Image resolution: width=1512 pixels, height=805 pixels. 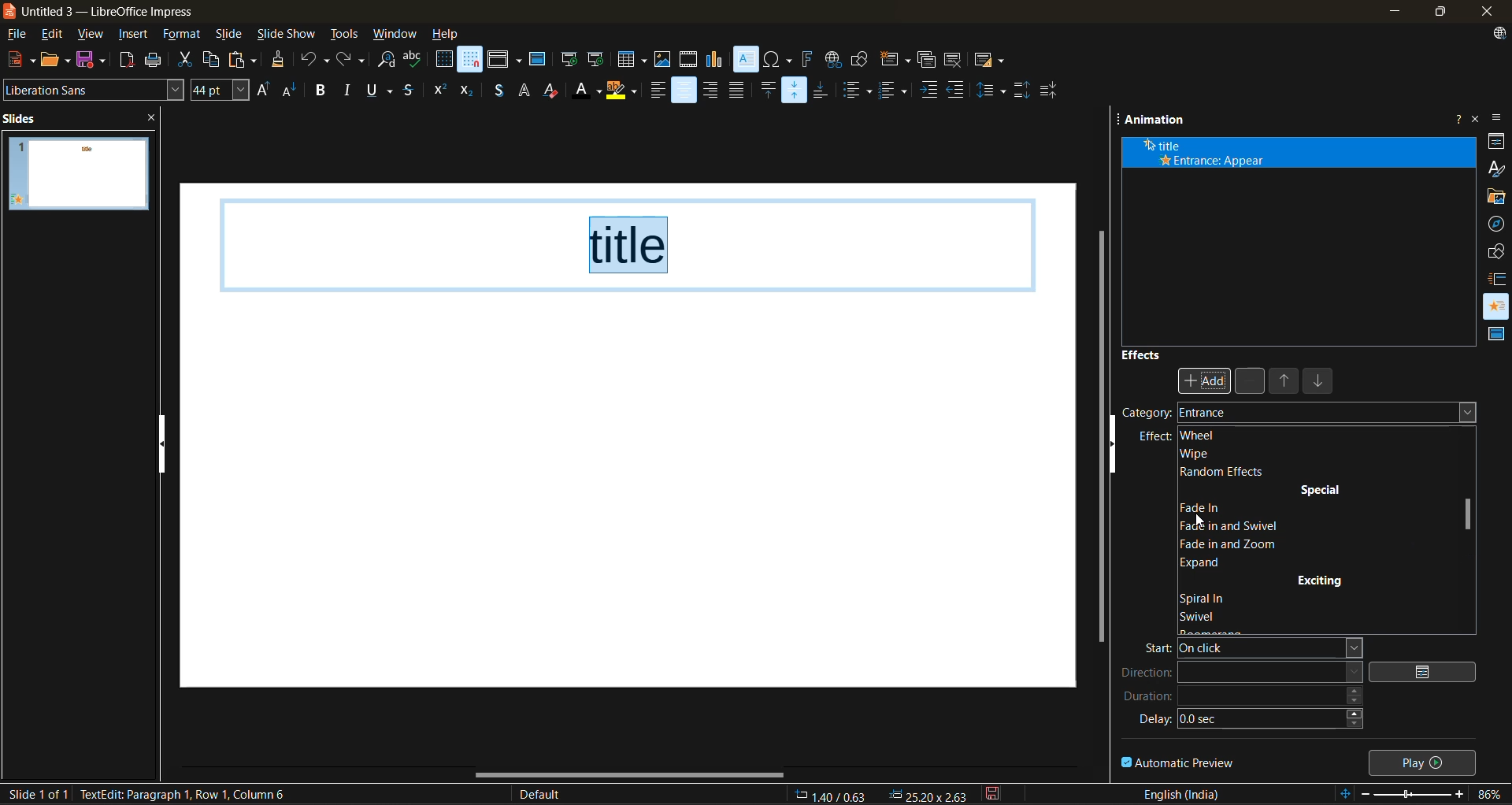 What do you see at coordinates (959, 88) in the screenshot?
I see `decrease indent` at bounding box center [959, 88].